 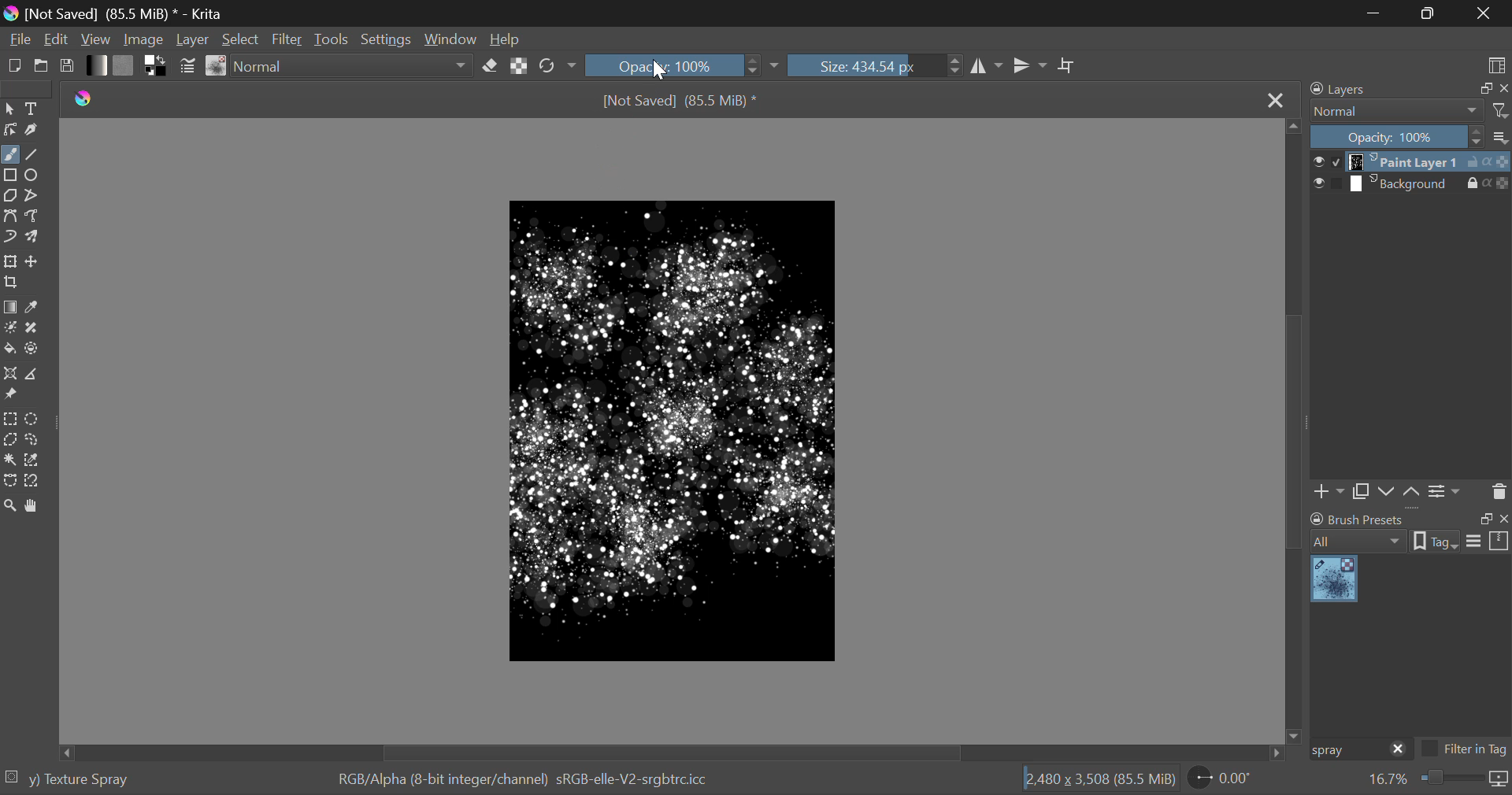 I want to click on restore, so click(x=1483, y=89).